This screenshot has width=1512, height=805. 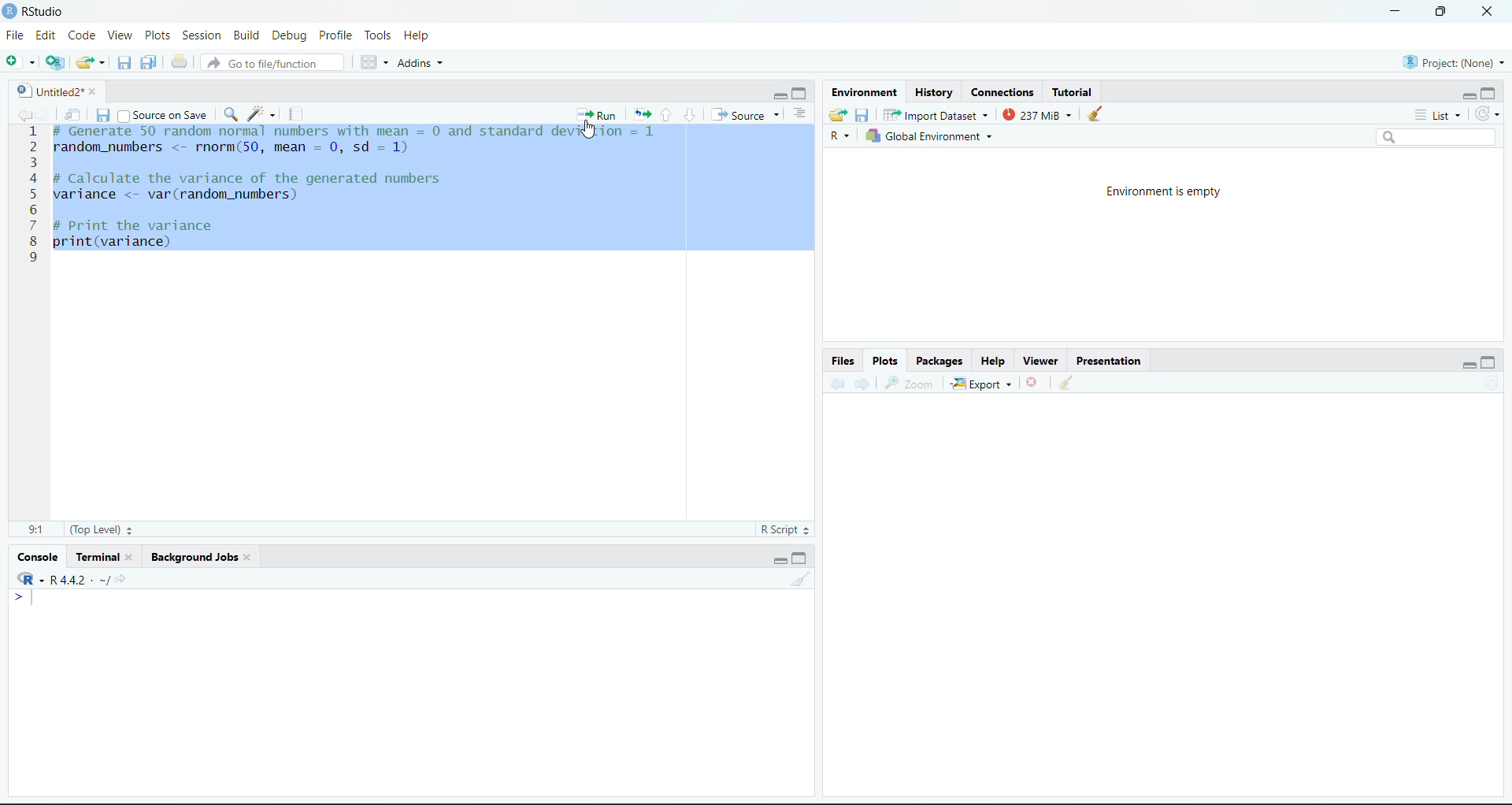 I want to click on clear, so click(x=250, y=557).